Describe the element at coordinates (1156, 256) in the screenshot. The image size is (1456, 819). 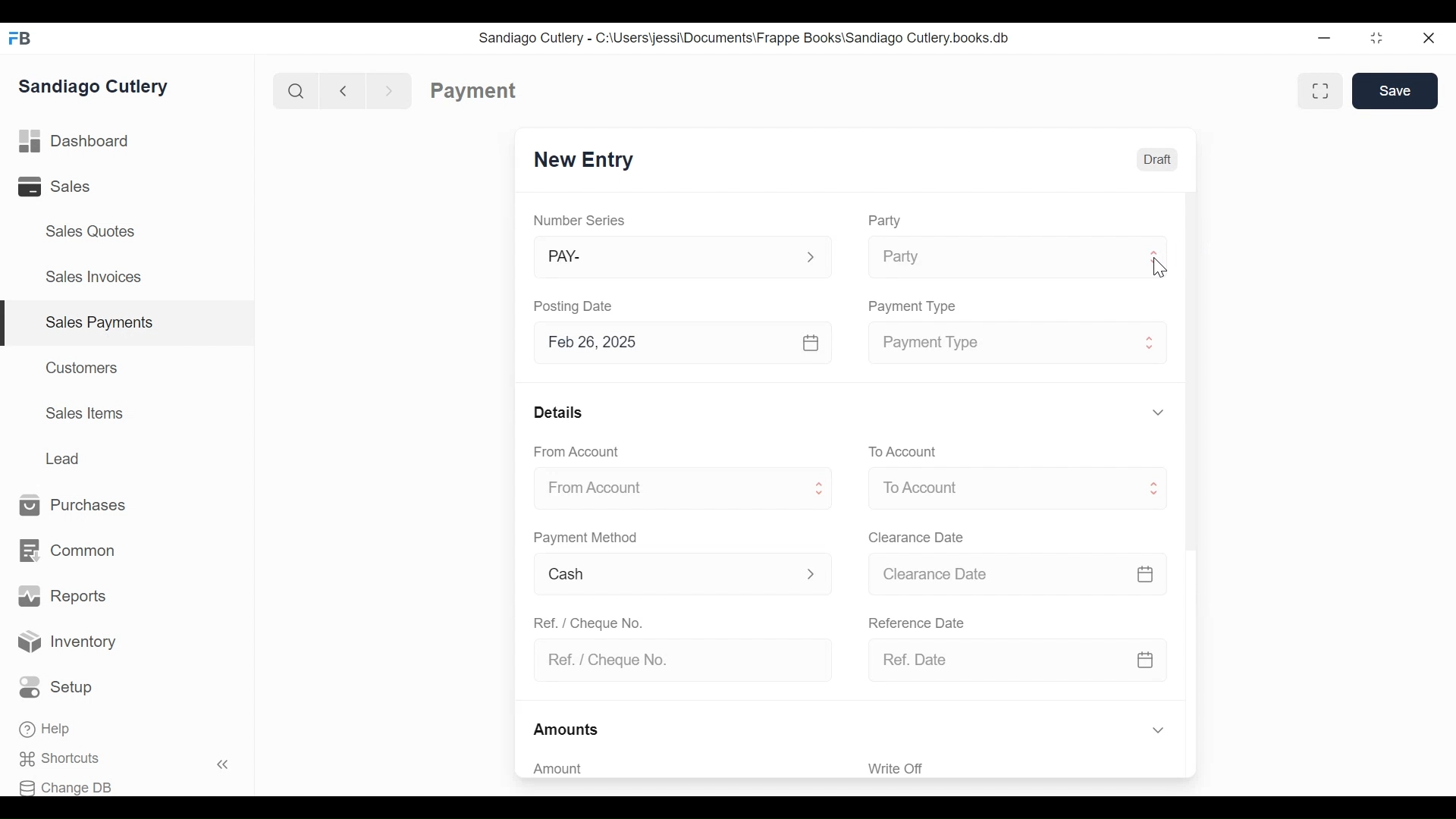
I see `Expand` at that location.